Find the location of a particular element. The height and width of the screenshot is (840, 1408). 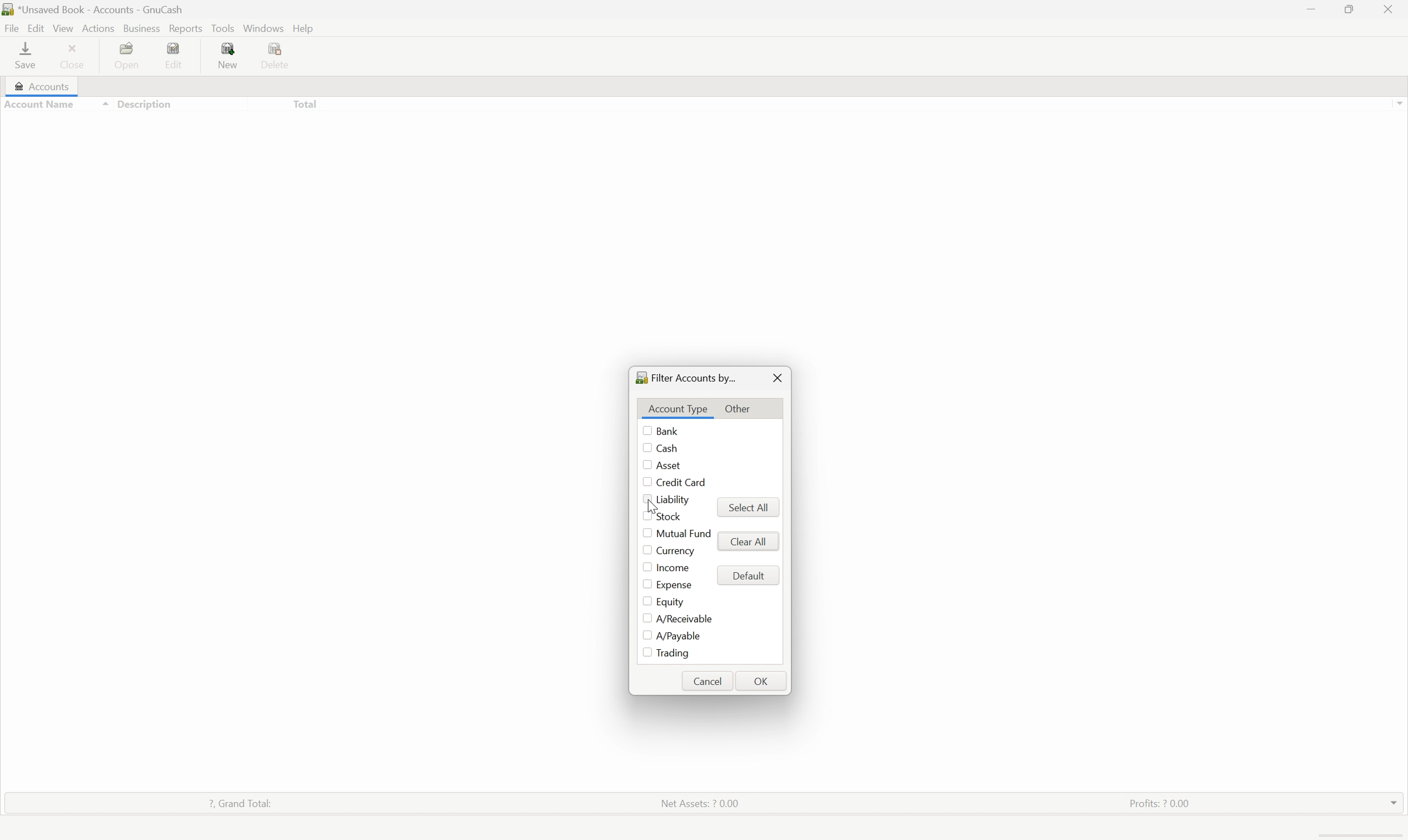

OK is located at coordinates (762, 680).